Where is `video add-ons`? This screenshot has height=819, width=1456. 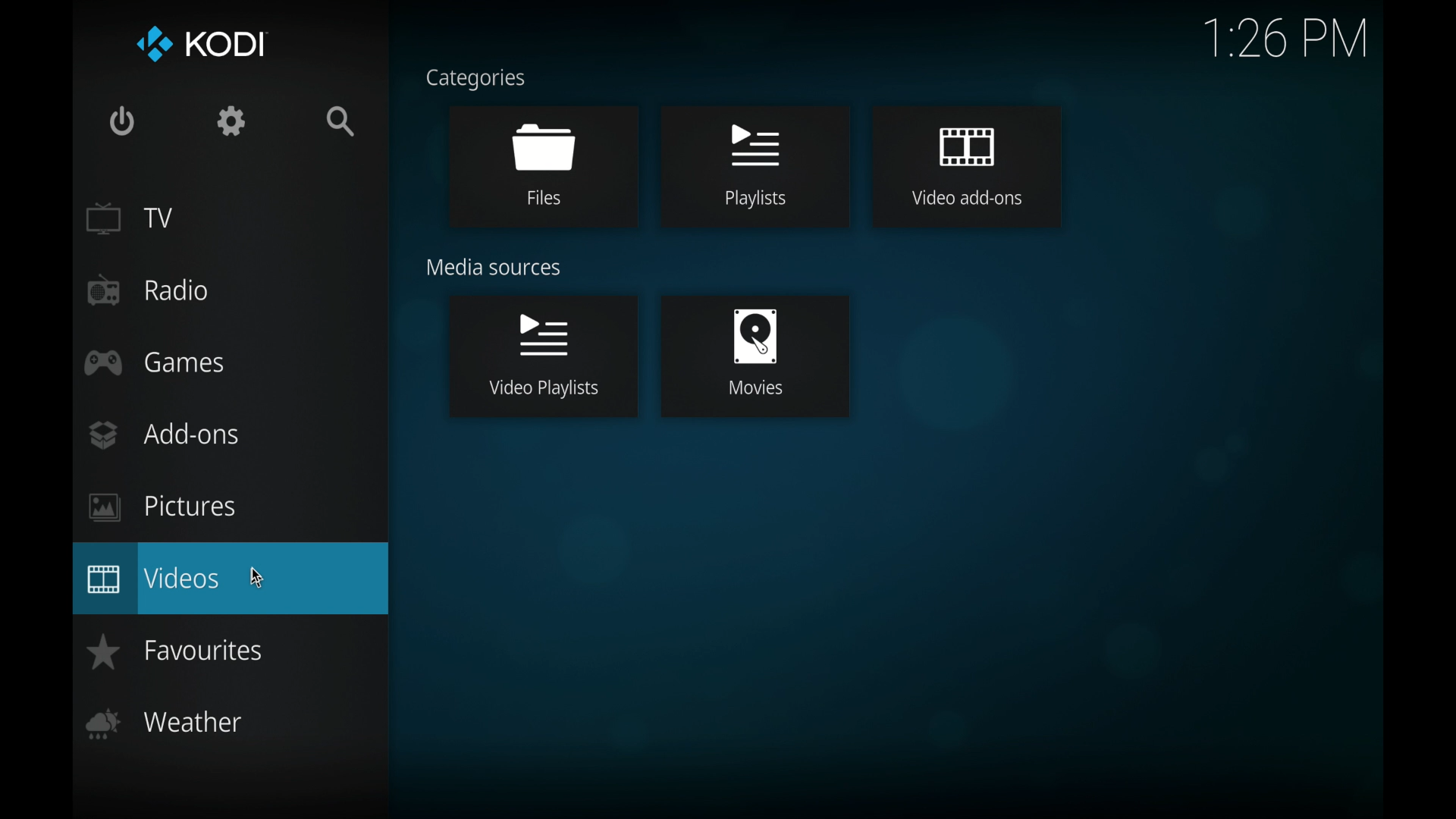
video add-ons is located at coordinates (965, 166).